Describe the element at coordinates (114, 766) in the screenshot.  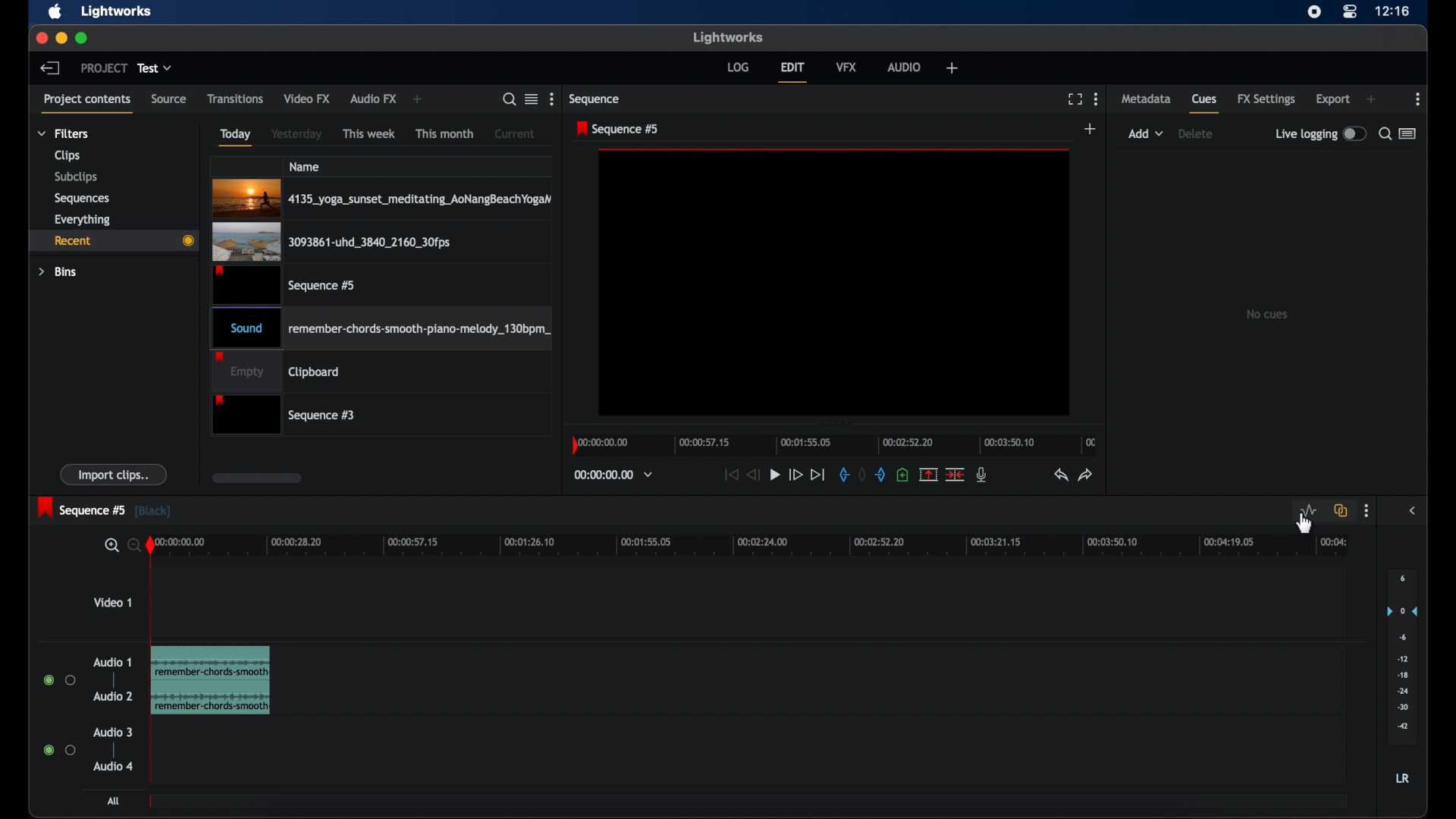
I see `audio 4` at that location.